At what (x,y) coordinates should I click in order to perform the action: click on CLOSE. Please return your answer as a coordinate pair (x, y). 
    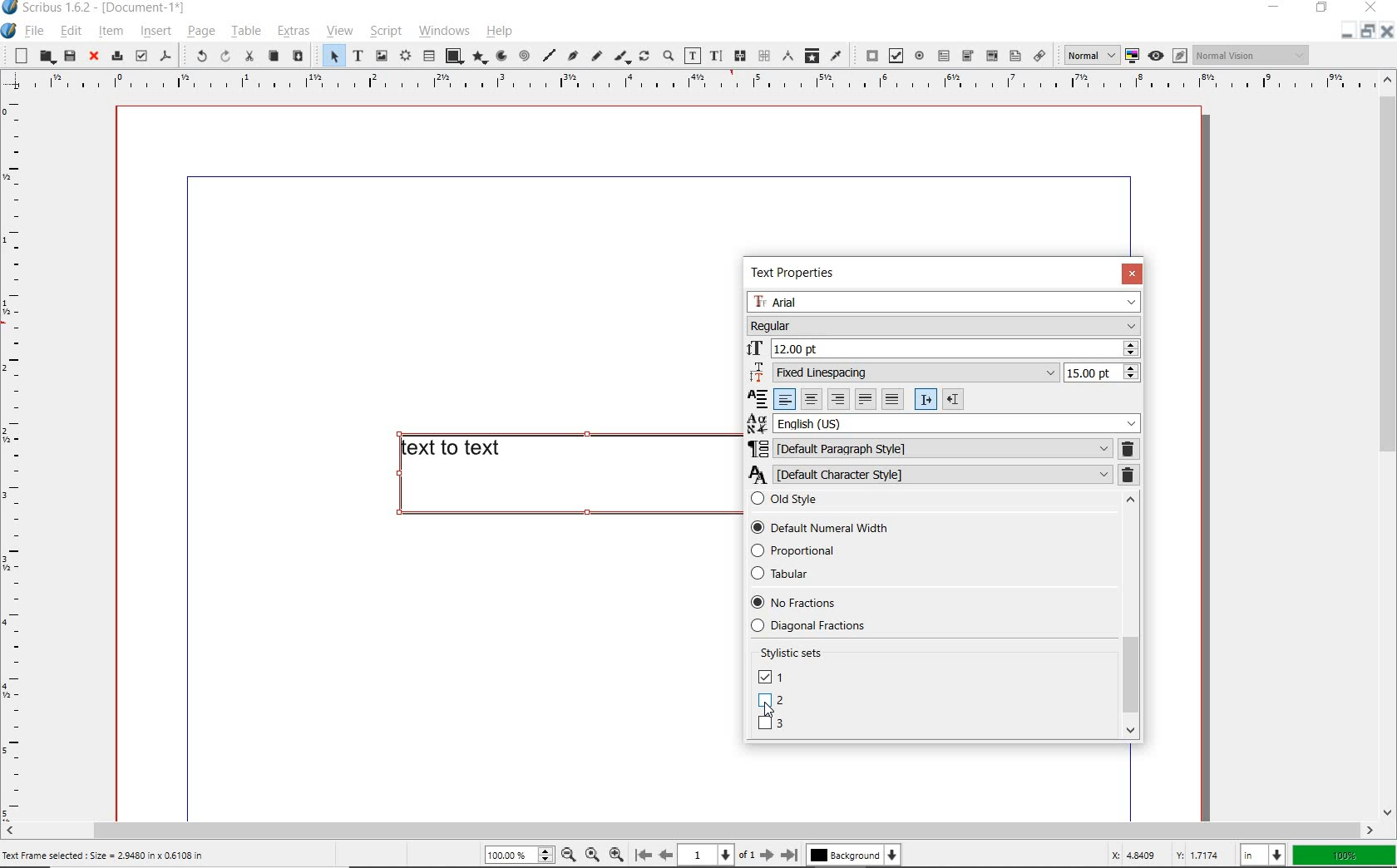
    Looking at the image, I should click on (1131, 274).